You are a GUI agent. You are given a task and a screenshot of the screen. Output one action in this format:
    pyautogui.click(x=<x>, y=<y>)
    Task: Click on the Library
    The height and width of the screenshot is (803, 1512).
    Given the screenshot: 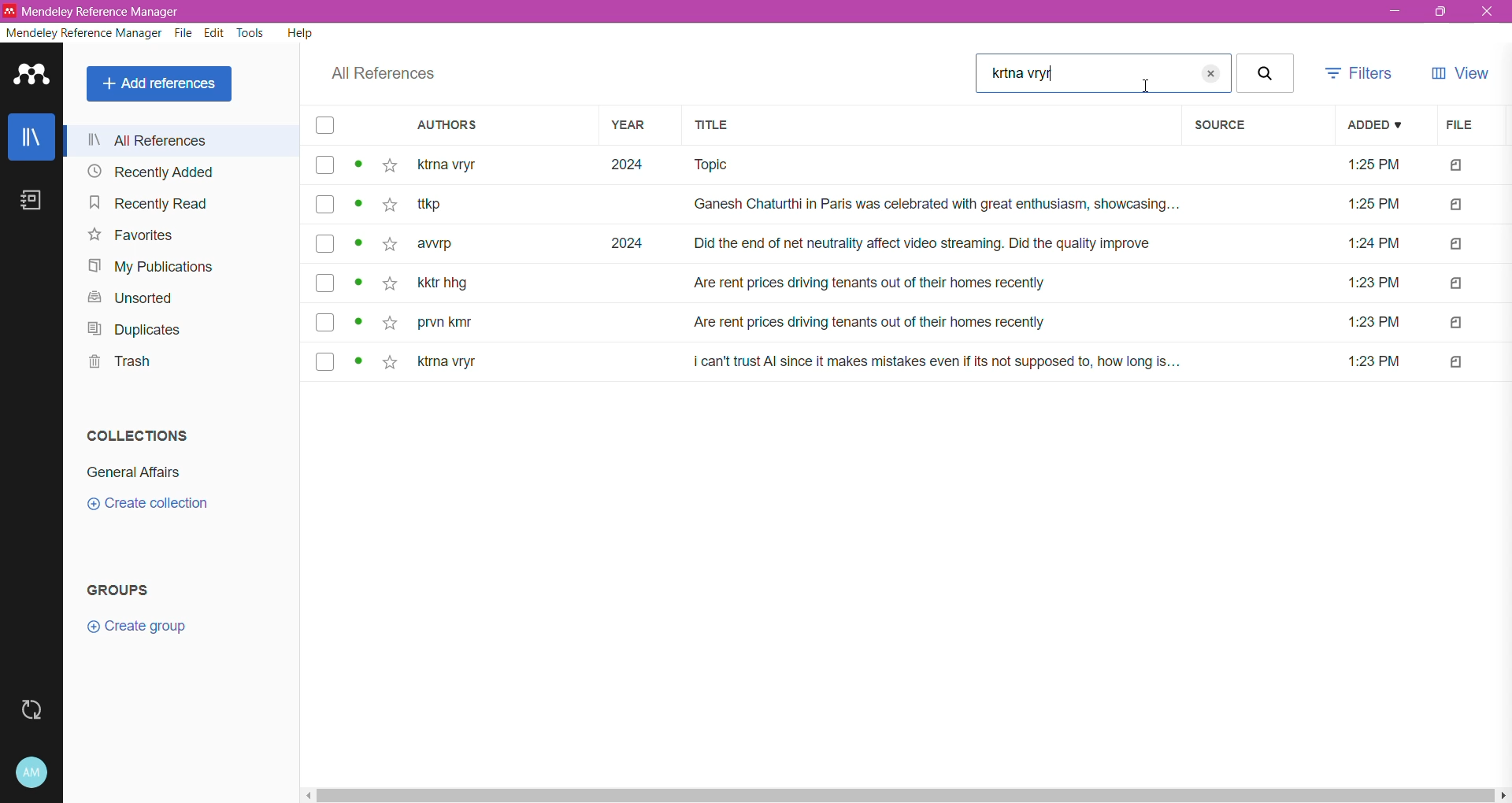 What is the action you would take?
    pyautogui.click(x=32, y=139)
    